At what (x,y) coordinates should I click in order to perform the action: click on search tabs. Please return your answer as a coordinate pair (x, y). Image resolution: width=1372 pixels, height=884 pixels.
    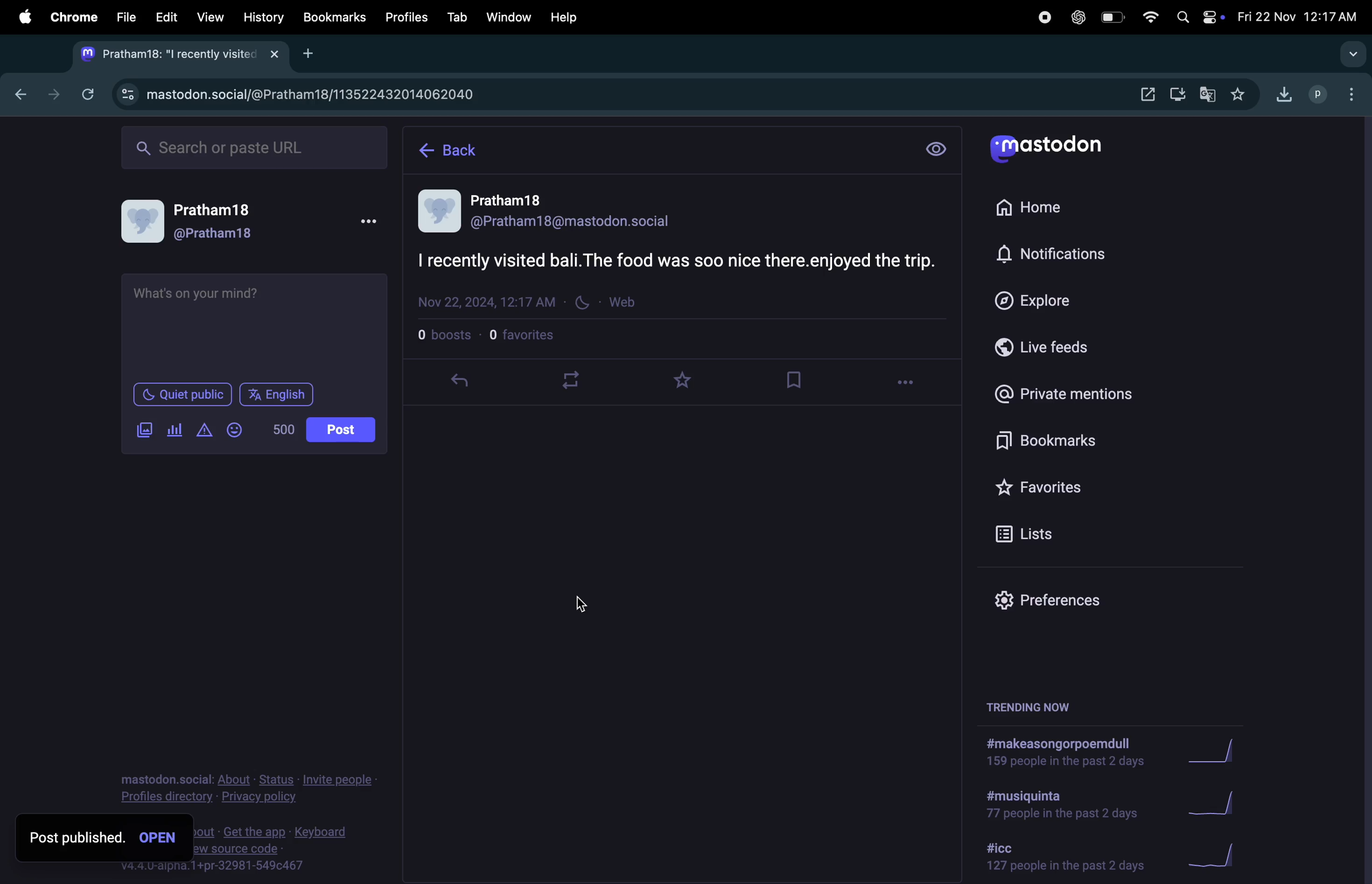
    Looking at the image, I should click on (1348, 55).